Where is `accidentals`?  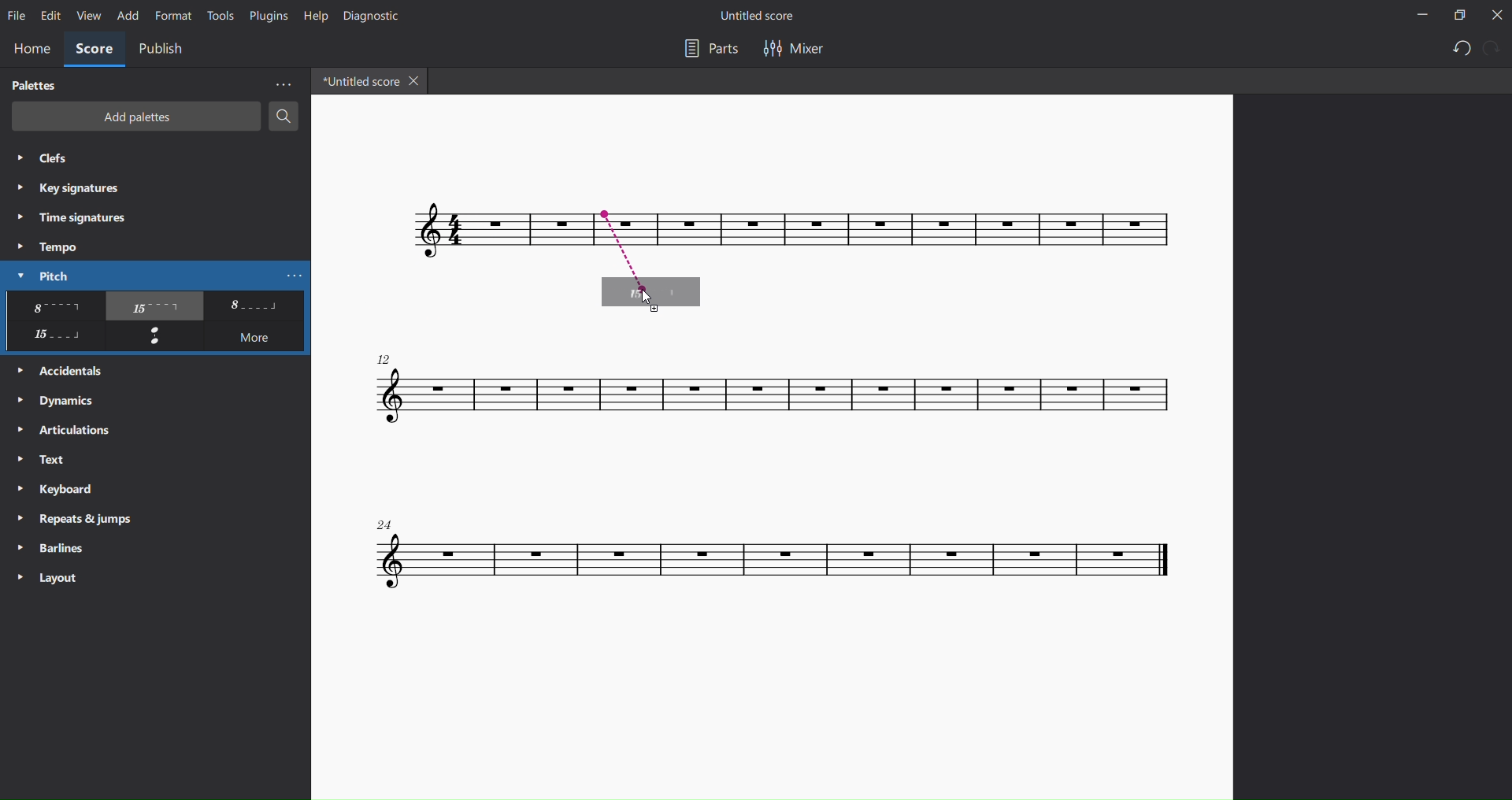 accidentals is located at coordinates (68, 369).